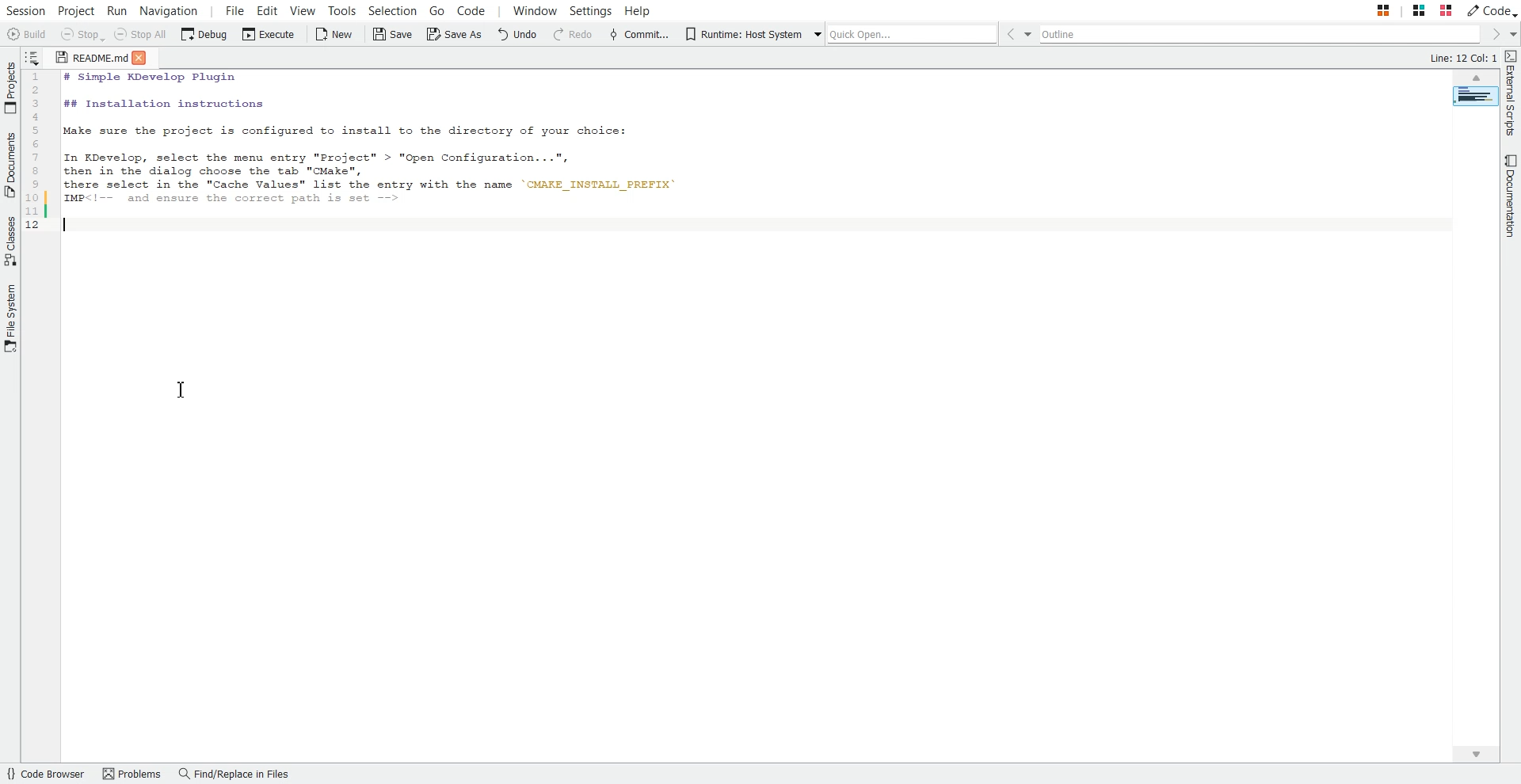  Describe the element at coordinates (46, 774) in the screenshot. I see `Code Browser` at that location.